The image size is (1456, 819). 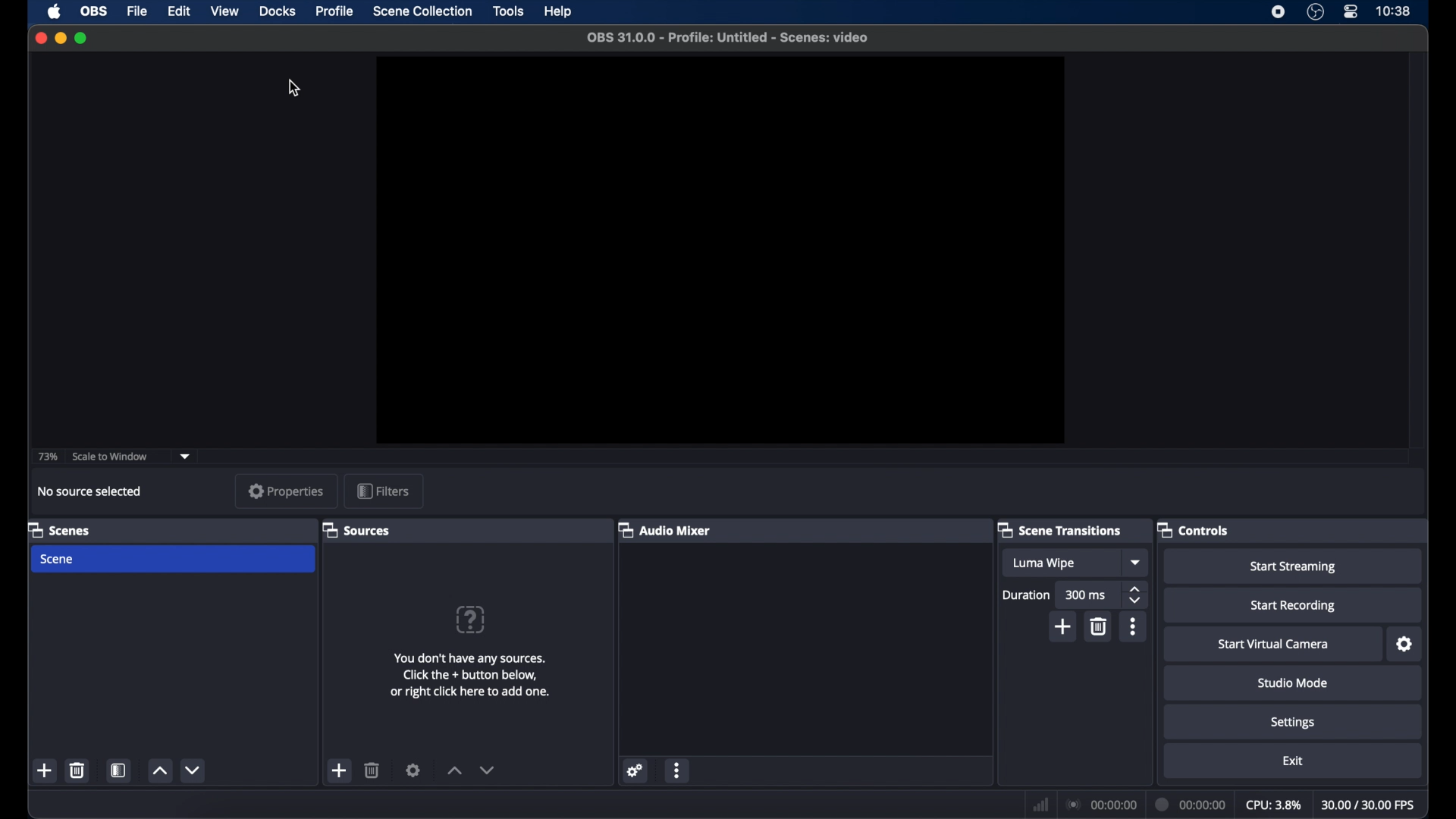 What do you see at coordinates (1278, 12) in the screenshot?
I see `screen recorder icon` at bounding box center [1278, 12].